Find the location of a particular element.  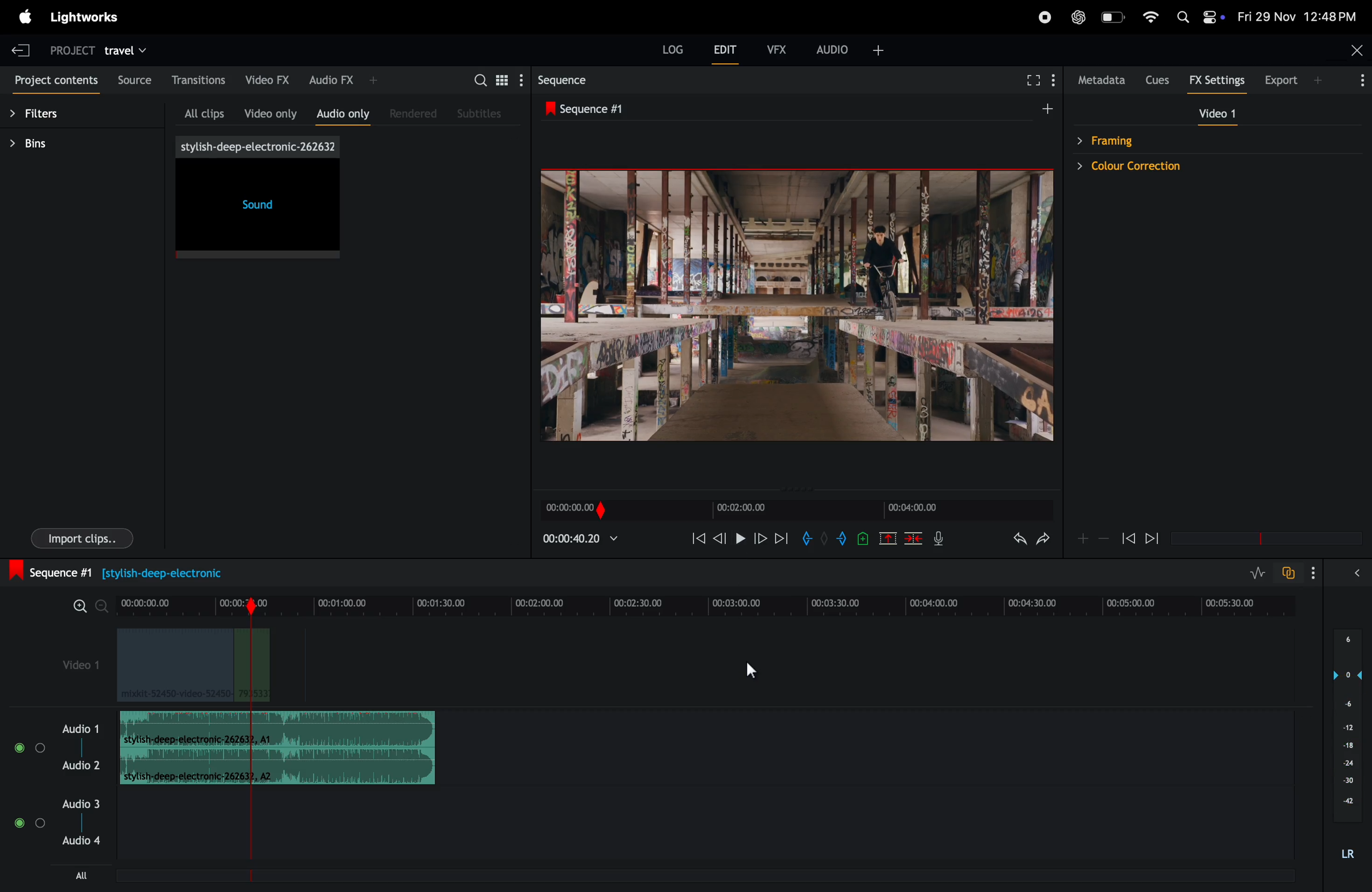

play back screen is located at coordinates (790, 307).